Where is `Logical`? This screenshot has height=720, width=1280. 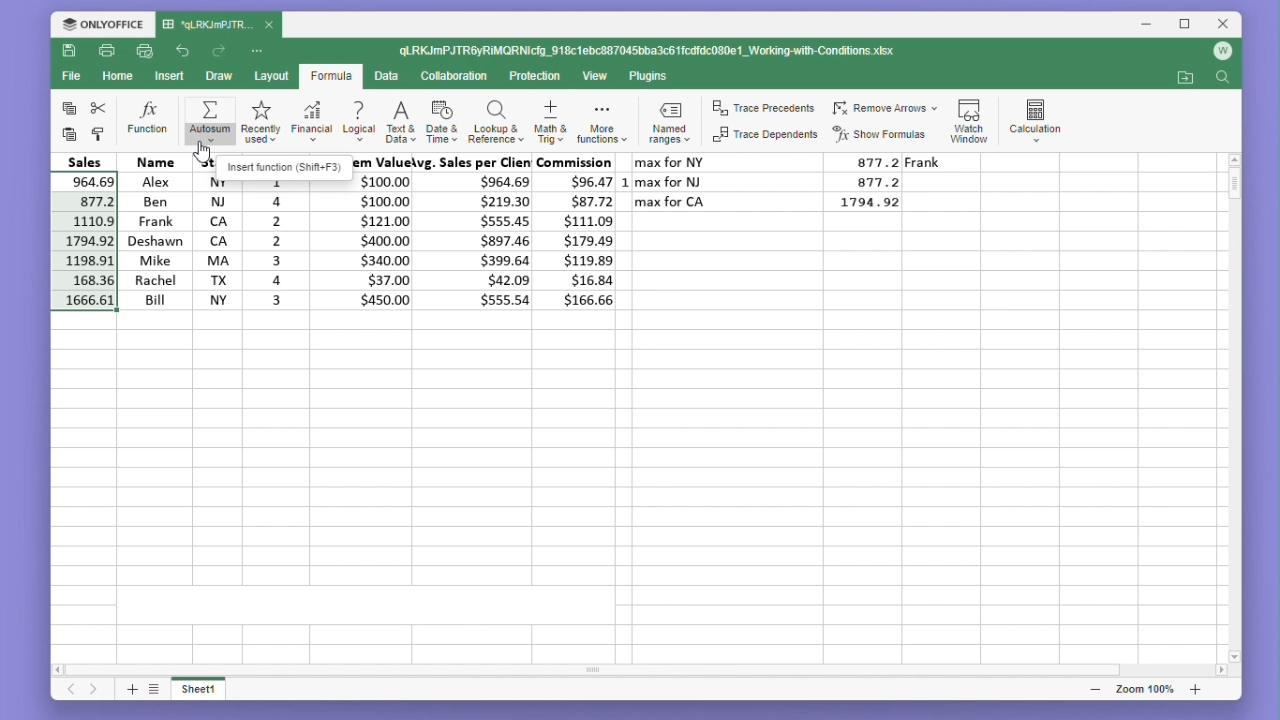 Logical is located at coordinates (358, 120).